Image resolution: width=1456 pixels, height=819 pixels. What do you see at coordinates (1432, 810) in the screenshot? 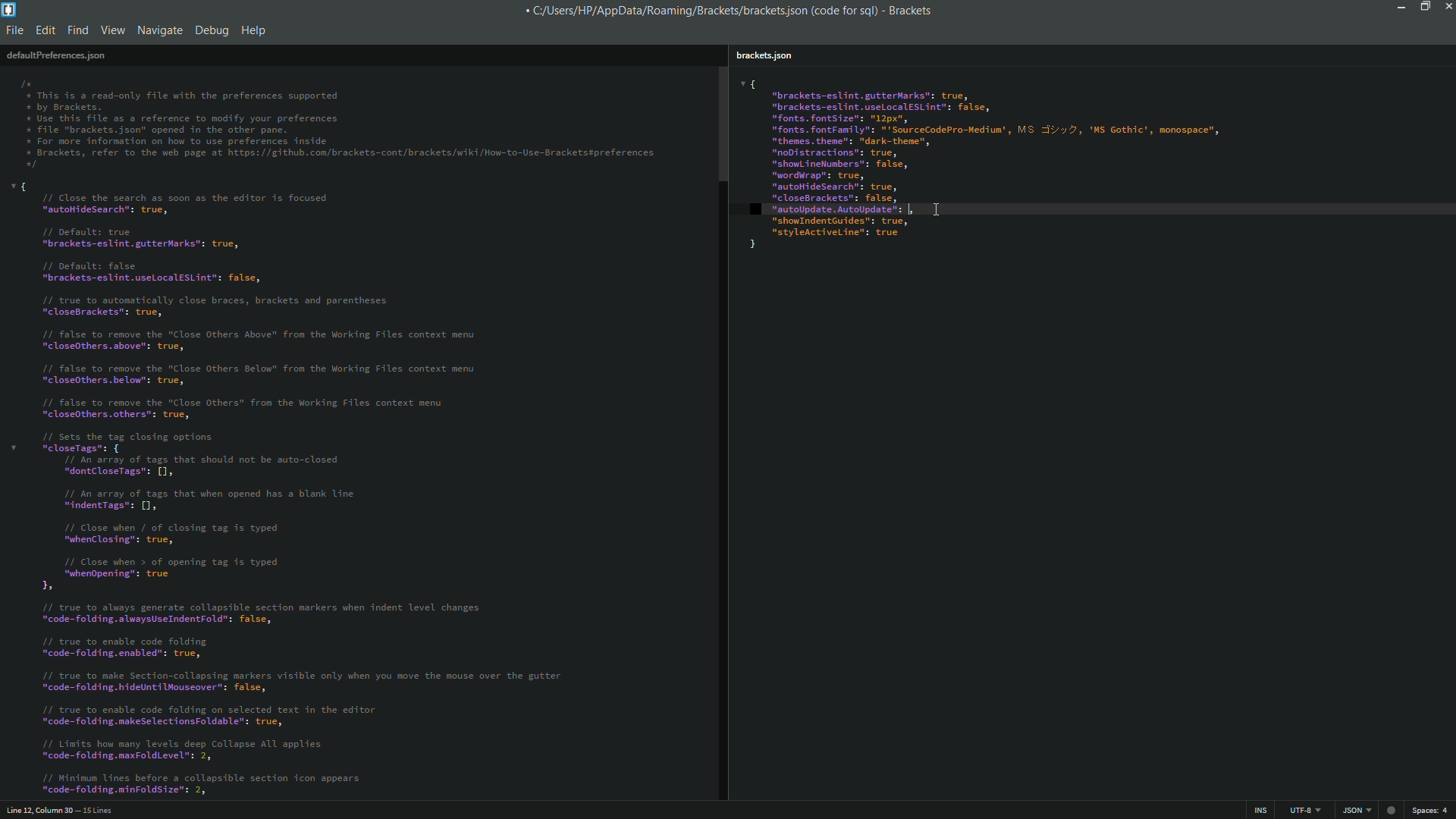
I see `spaces: 4` at bounding box center [1432, 810].